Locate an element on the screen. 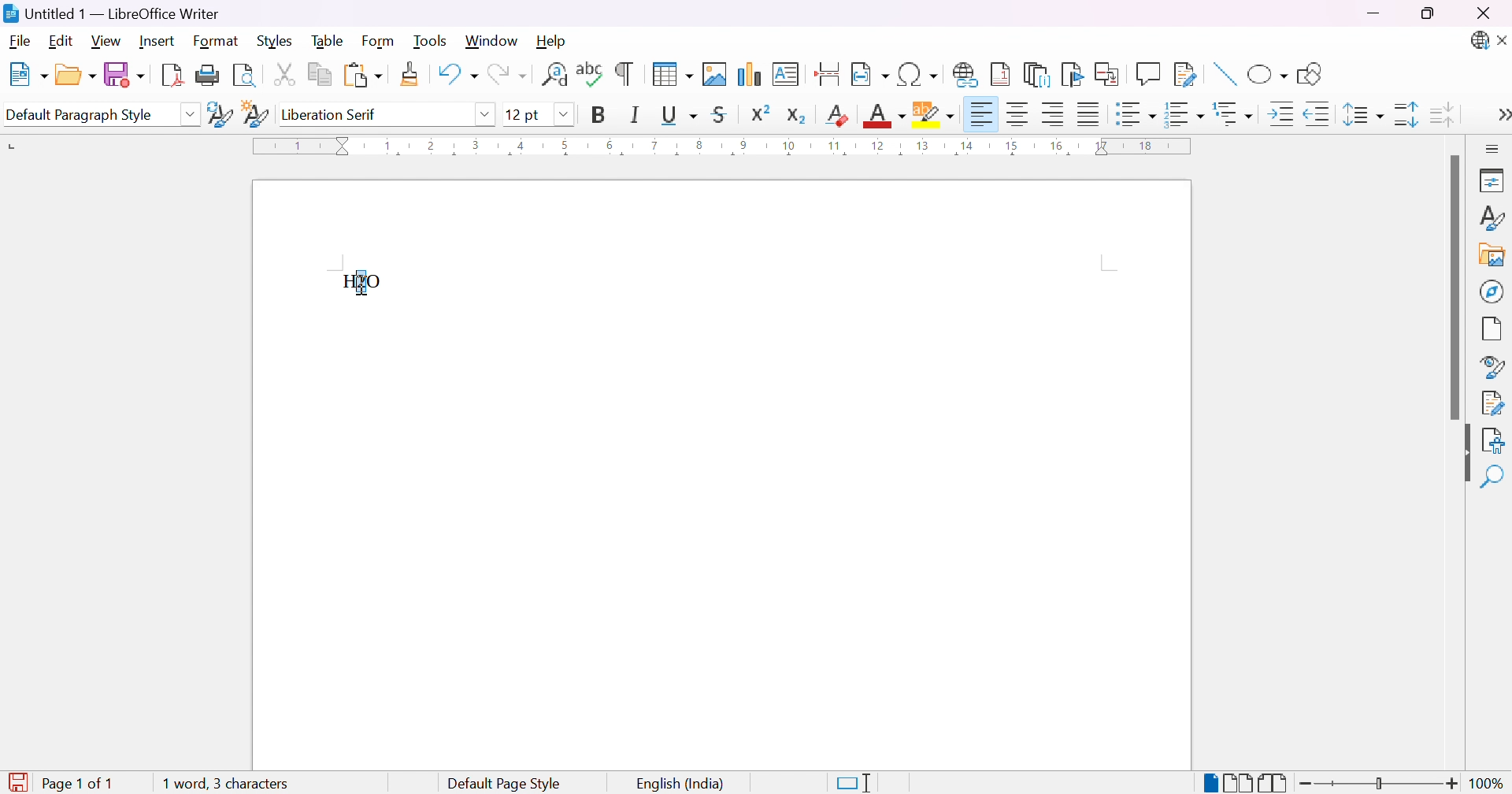 Image resolution: width=1512 pixels, height=794 pixels. Sidebar settings is located at coordinates (1494, 148).